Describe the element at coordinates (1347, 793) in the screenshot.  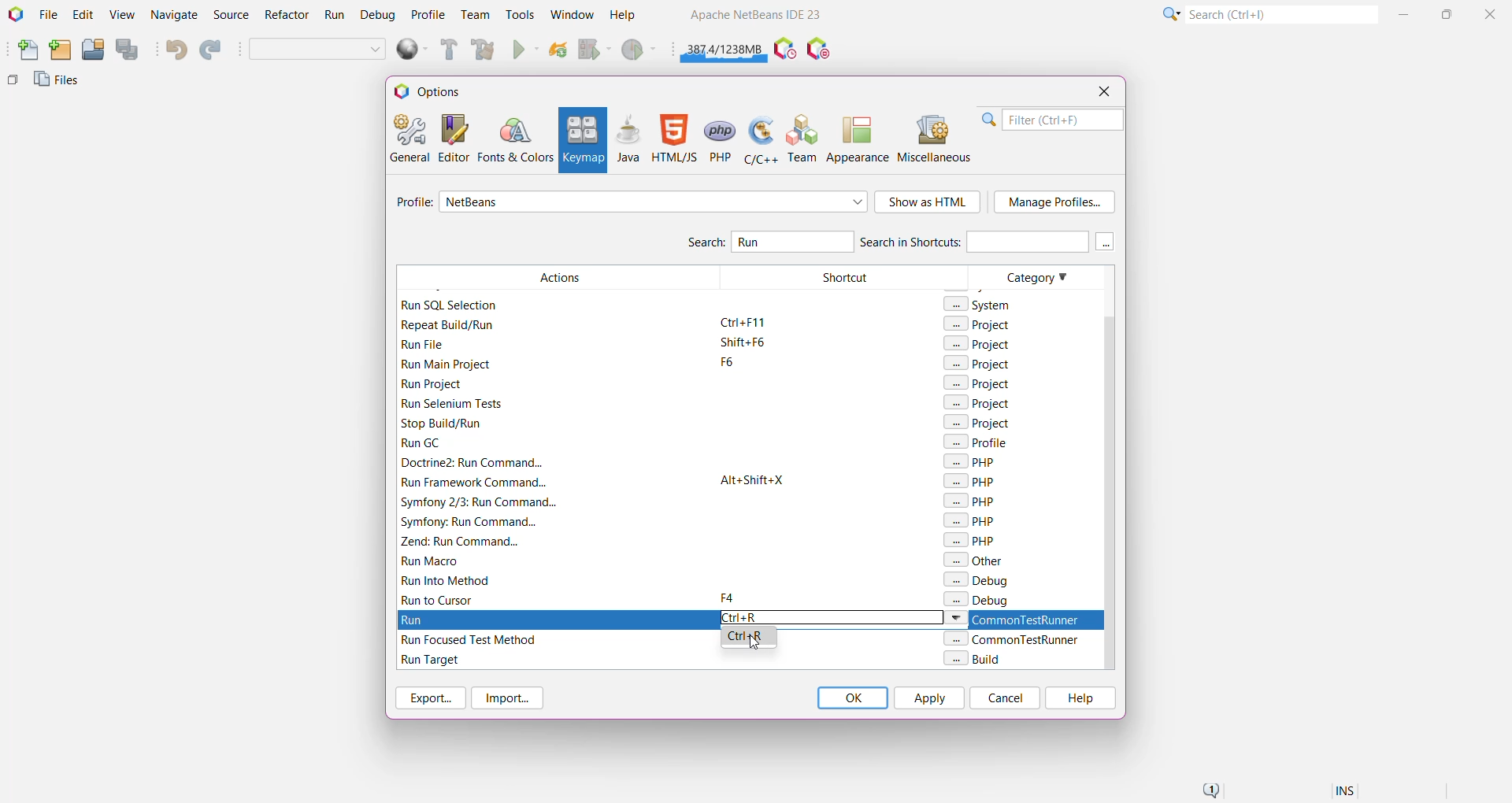
I see `Insert Mode` at that location.